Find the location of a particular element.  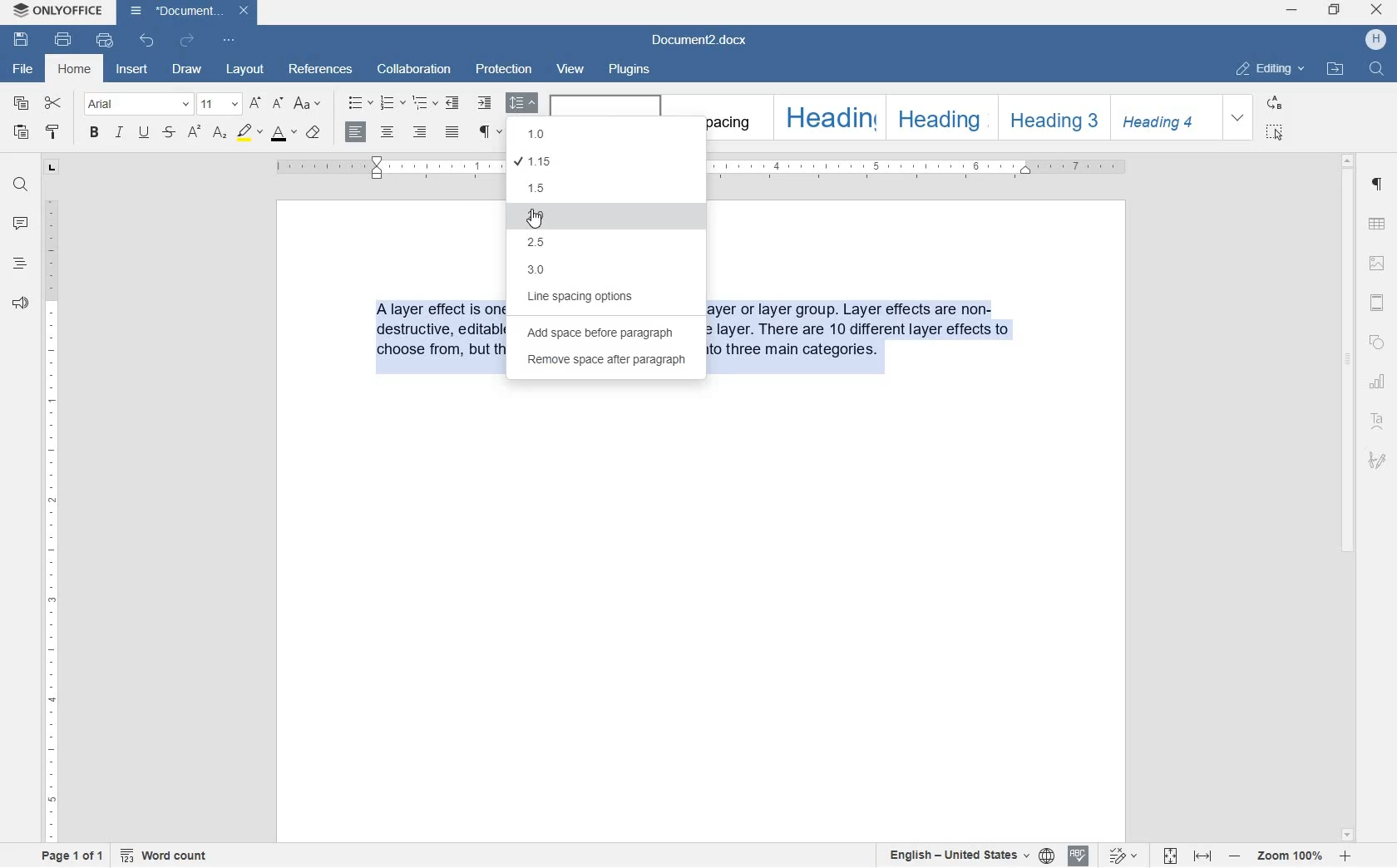

references is located at coordinates (320, 71).